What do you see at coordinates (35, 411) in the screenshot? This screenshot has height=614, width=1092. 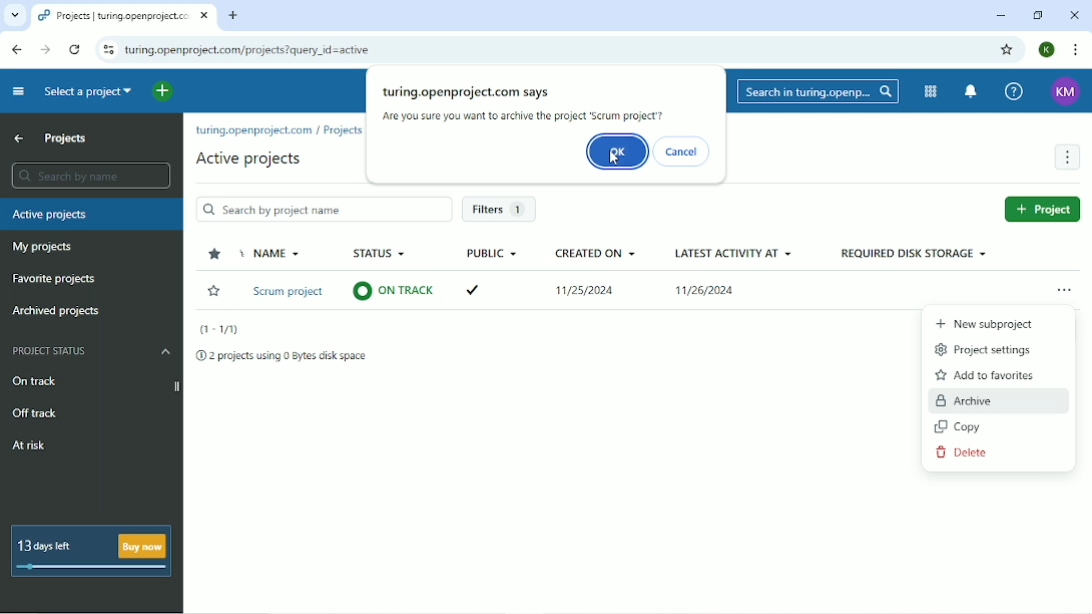 I see `Off track` at bounding box center [35, 411].